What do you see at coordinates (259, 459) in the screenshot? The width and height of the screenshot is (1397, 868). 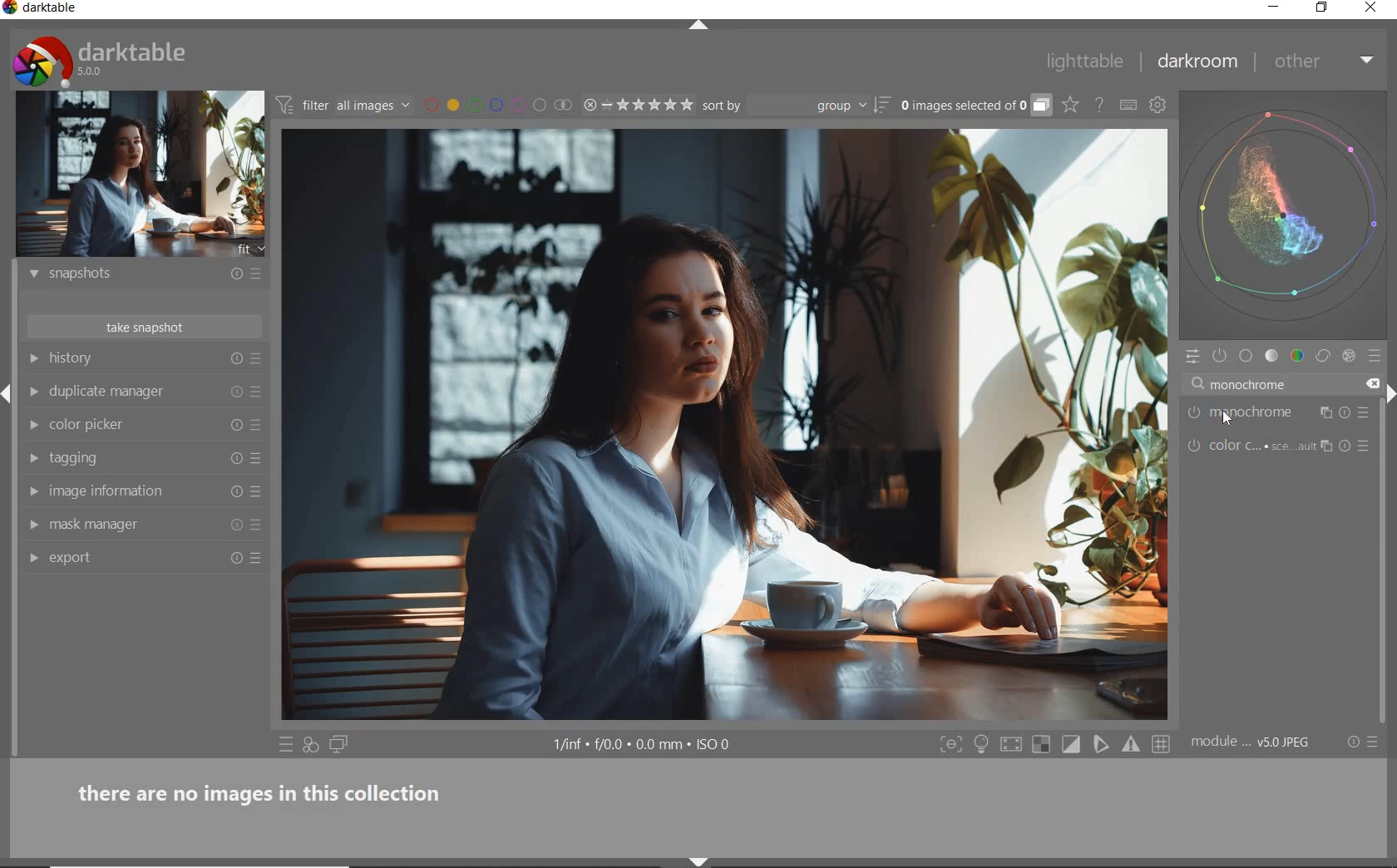 I see `preset and preferences` at bounding box center [259, 459].